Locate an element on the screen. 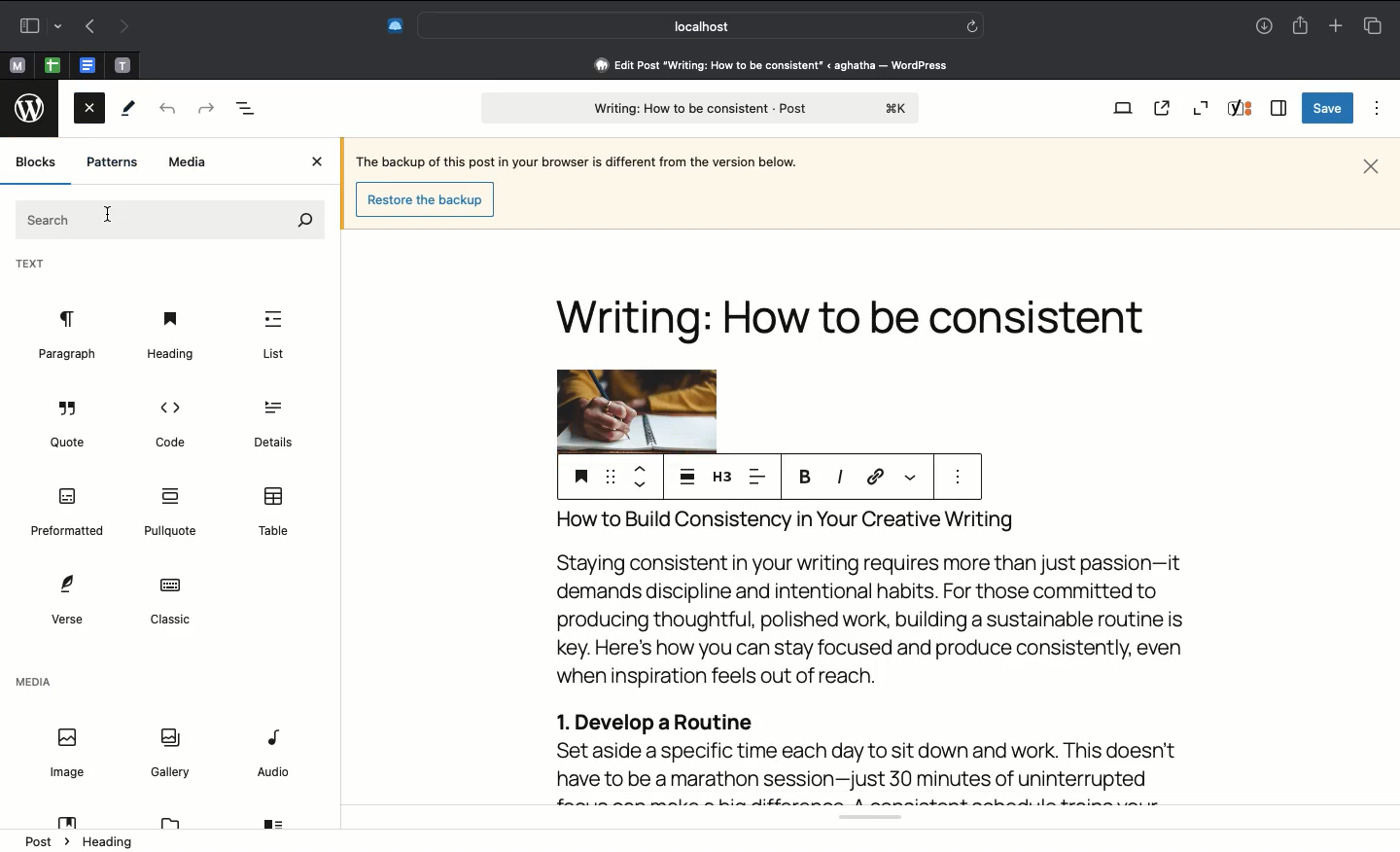 The image size is (1400, 852). URL is located at coordinates (874, 478).